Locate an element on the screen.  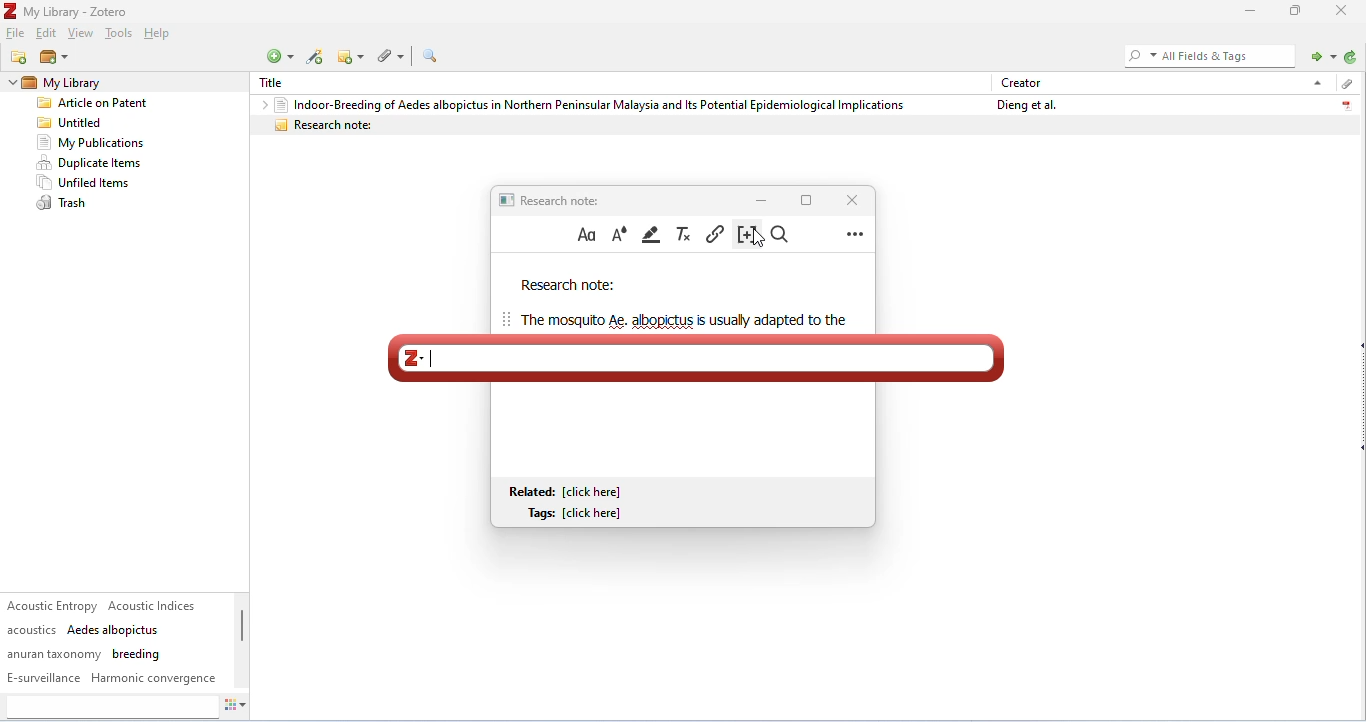
actions is located at coordinates (236, 708).